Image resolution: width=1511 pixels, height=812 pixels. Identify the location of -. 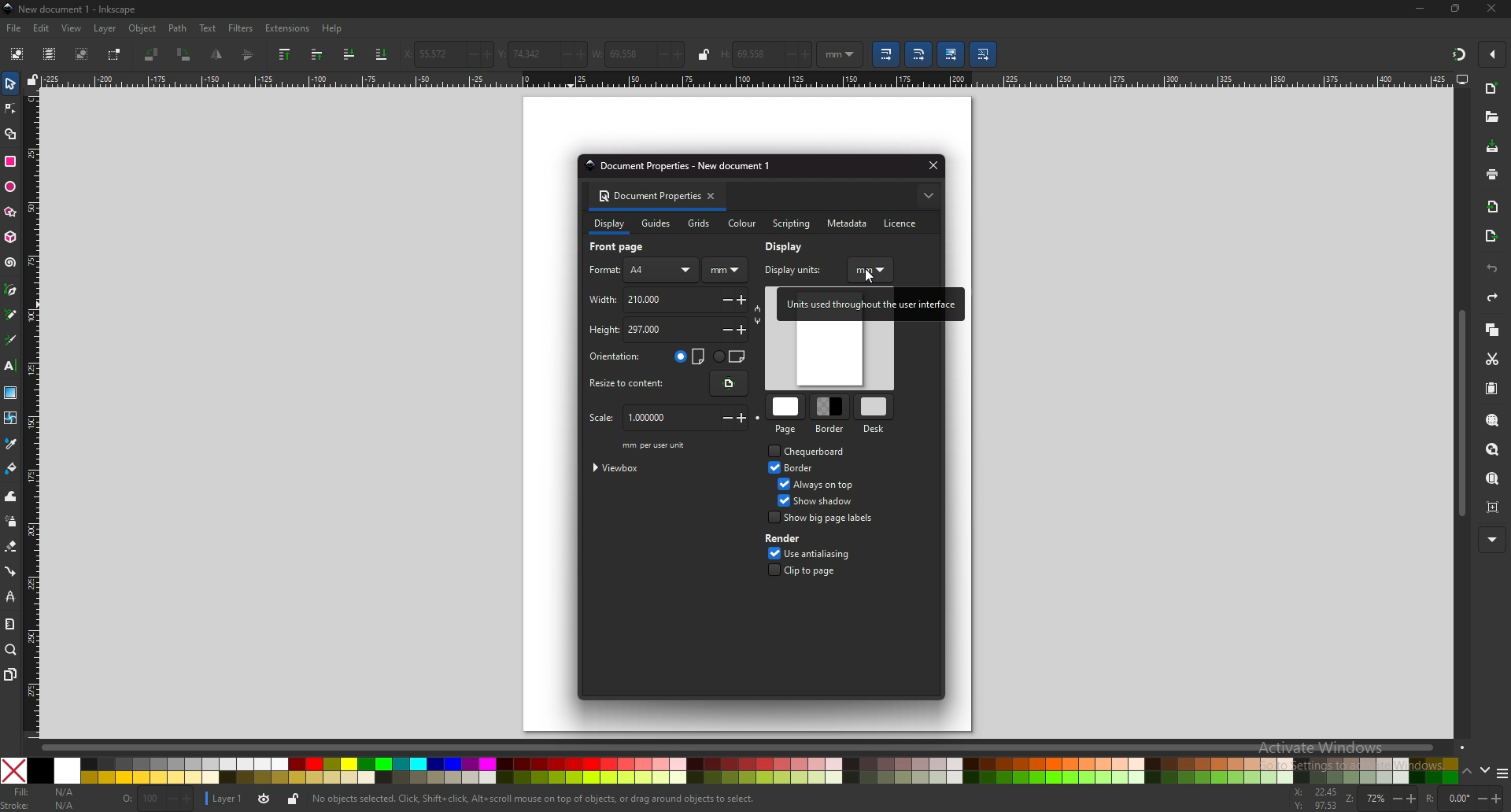
(789, 55).